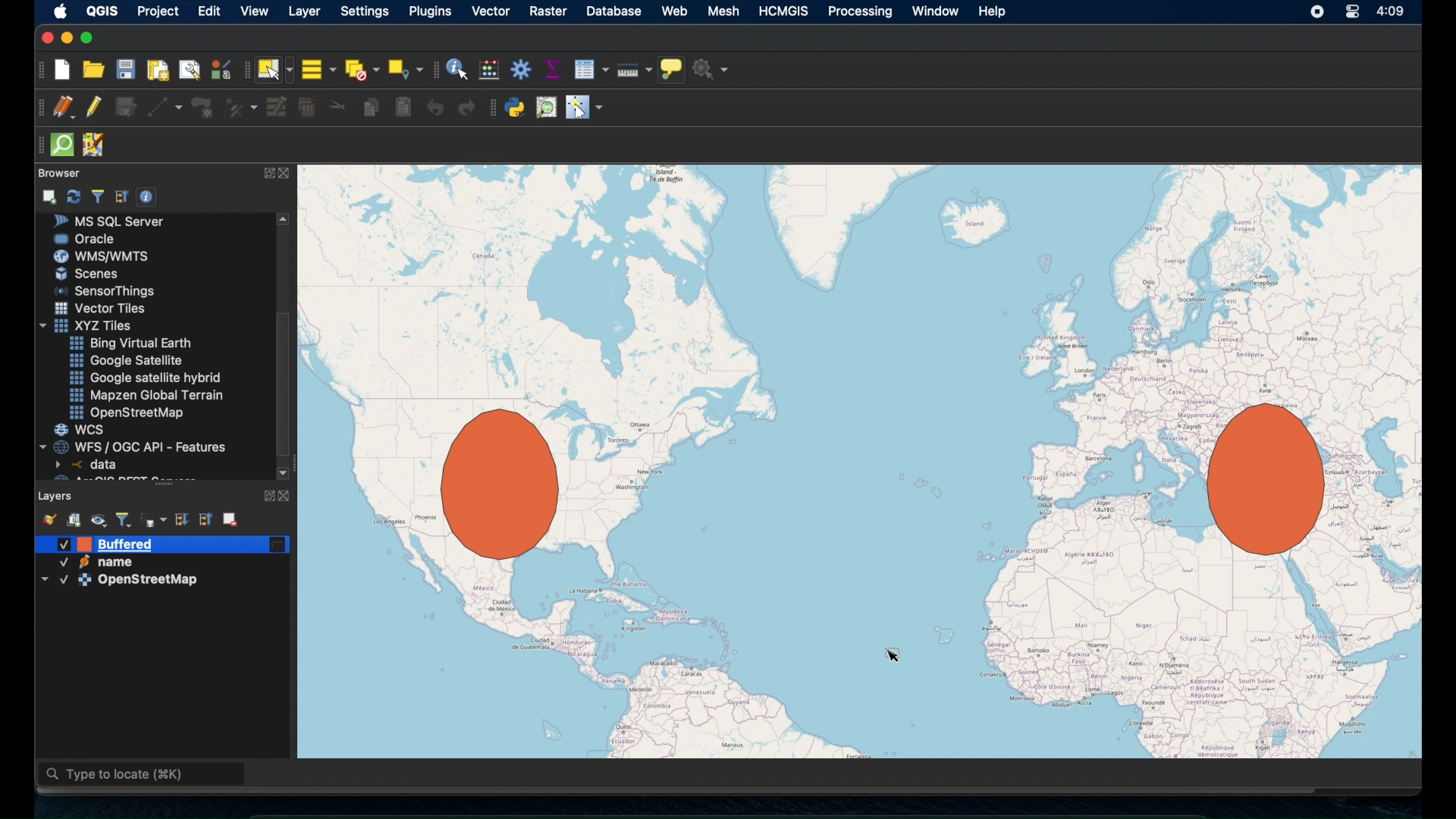  I want to click on remove layer/group, so click(231, 519).